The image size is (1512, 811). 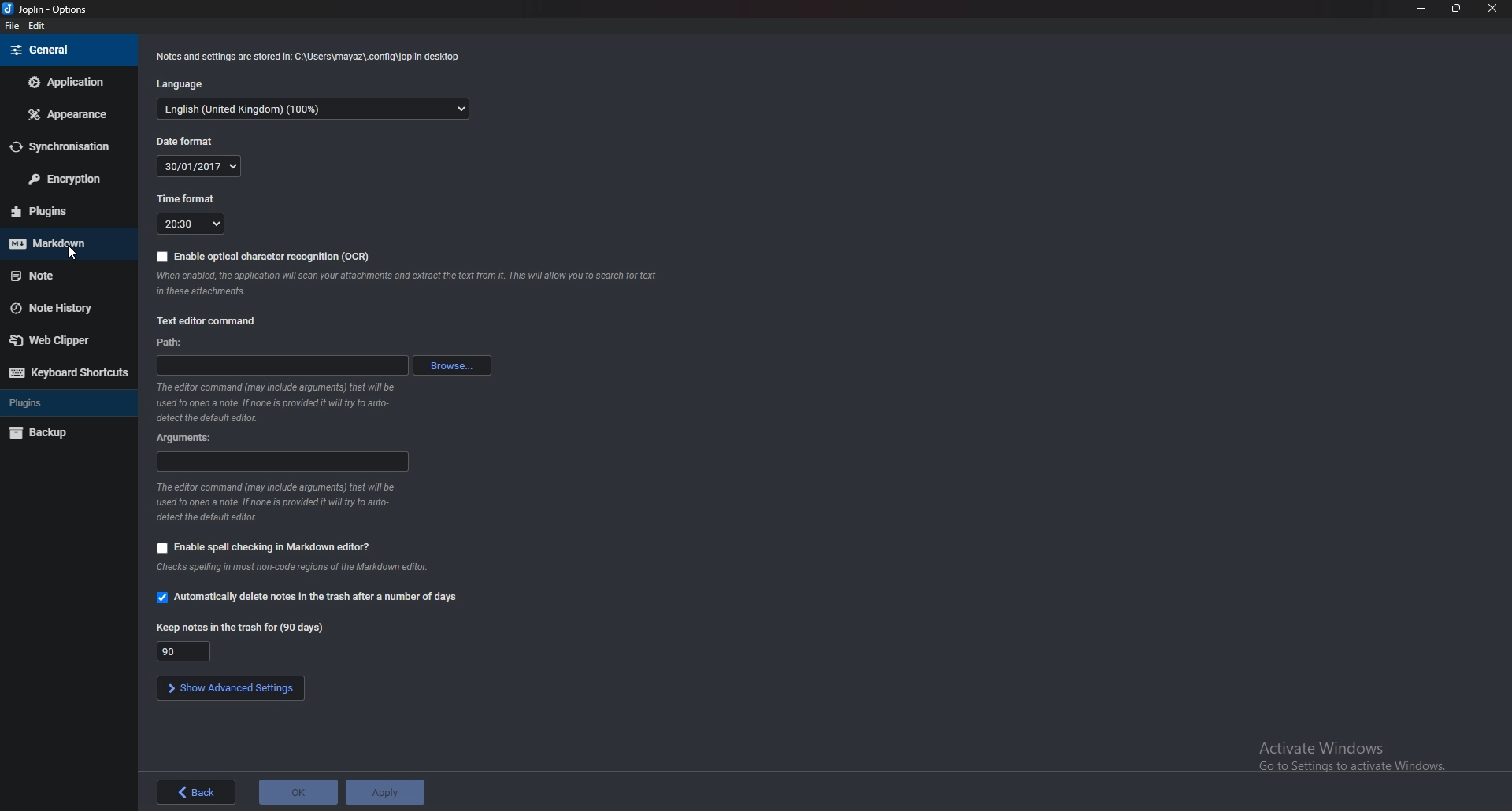 I want to click on General, so click(x=65, y=50).